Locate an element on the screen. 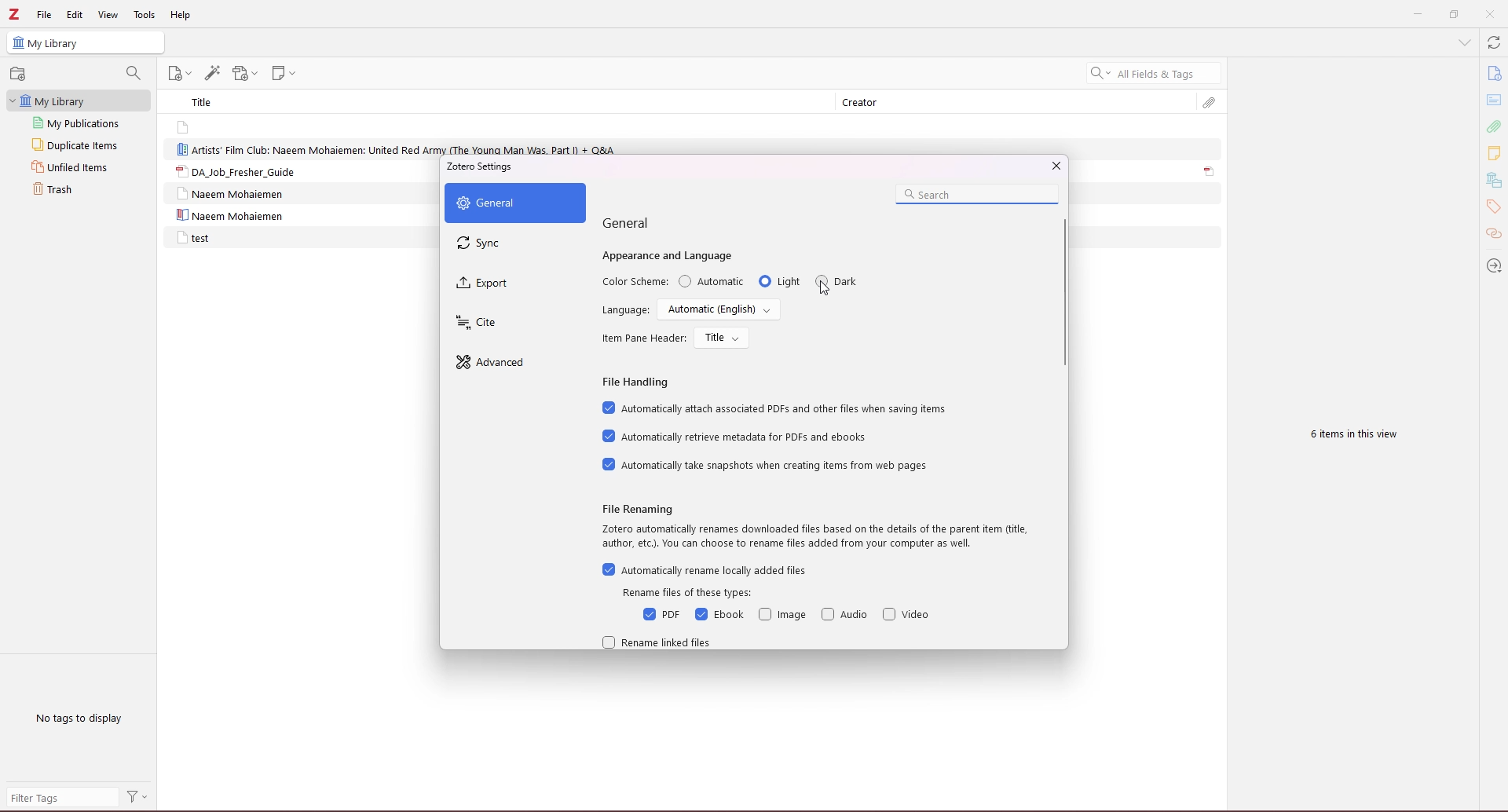 The image size is (1508, 812). my library is located at coordinates (80, 101).